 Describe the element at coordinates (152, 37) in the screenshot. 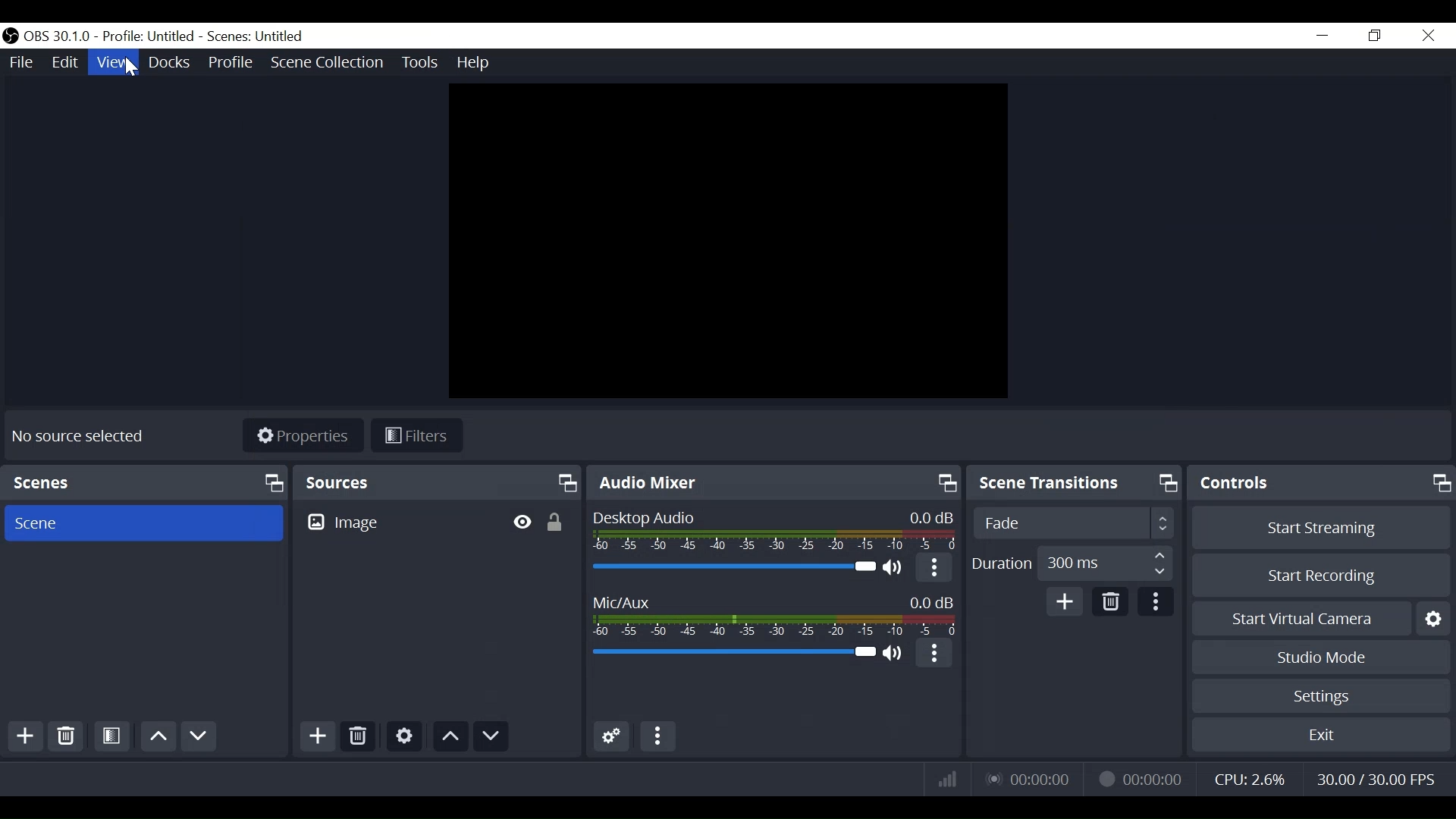

I see `Profile name` at that location.